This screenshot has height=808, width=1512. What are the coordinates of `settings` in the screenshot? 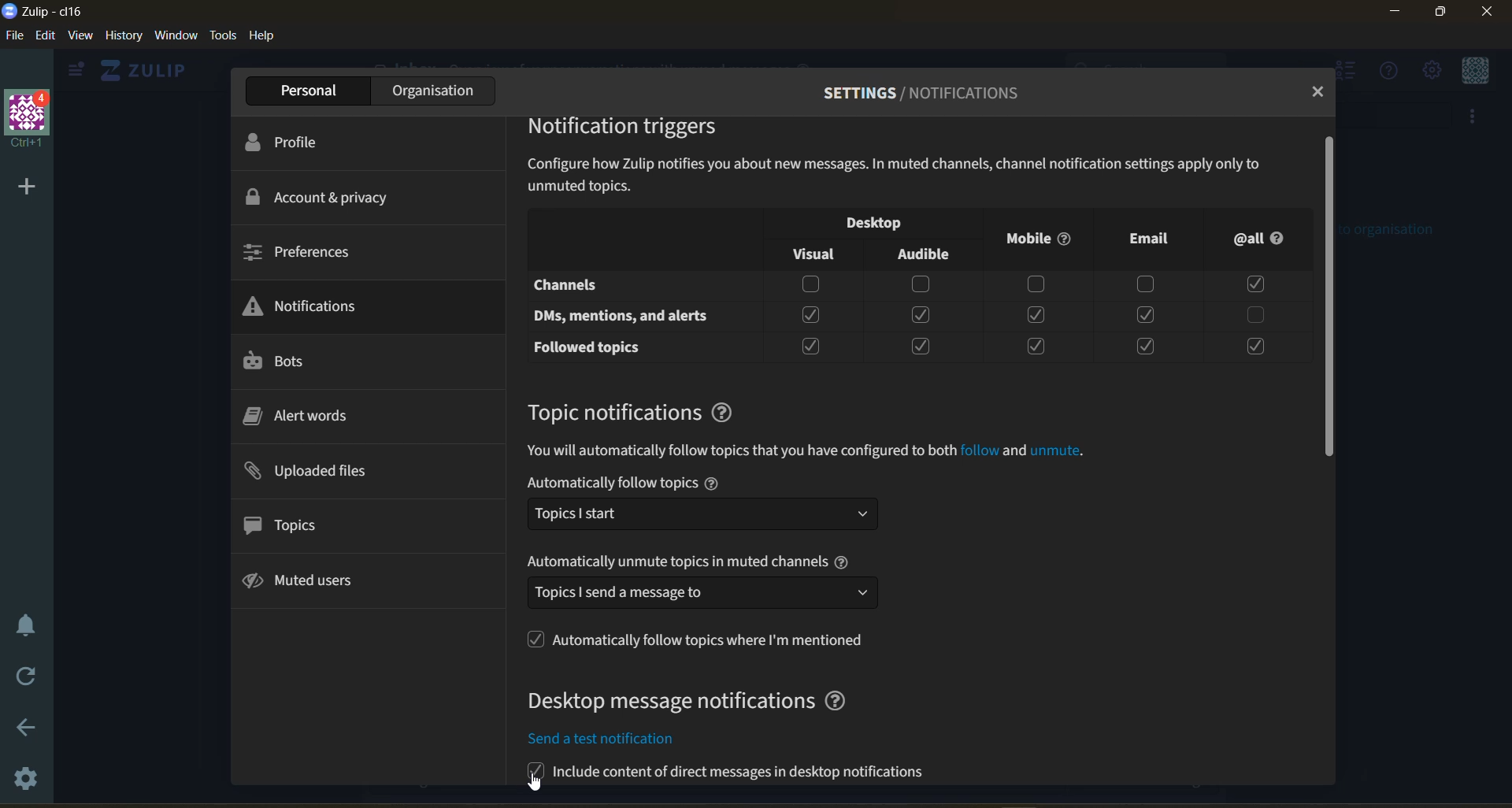 It's located at (27, 784).